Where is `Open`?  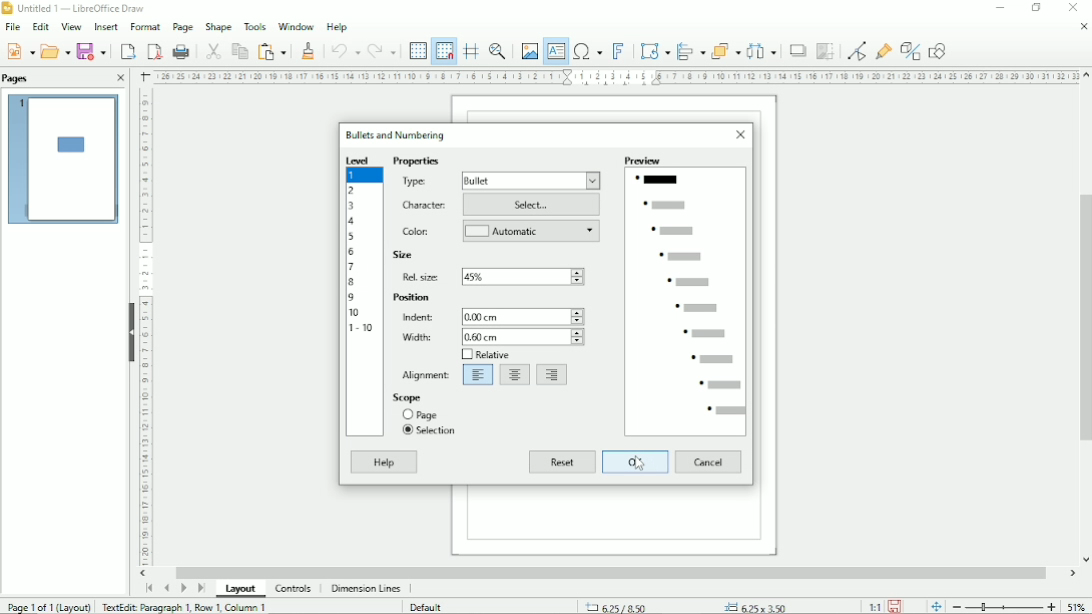 Open is located at coordinates (54, 51).